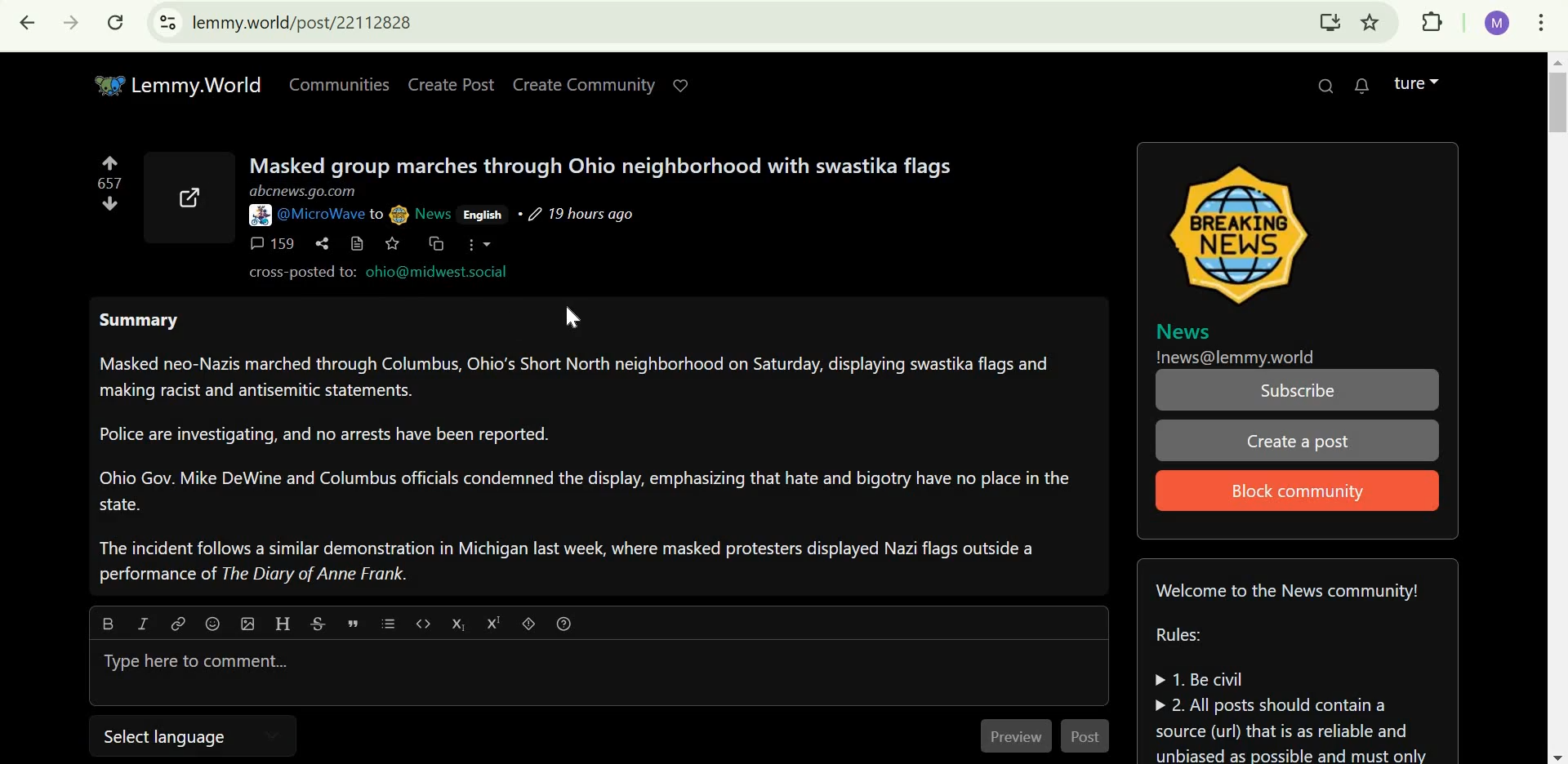 The height and width of the screenshot is (764, 1568). I want to click on quote, so click(354, 622).